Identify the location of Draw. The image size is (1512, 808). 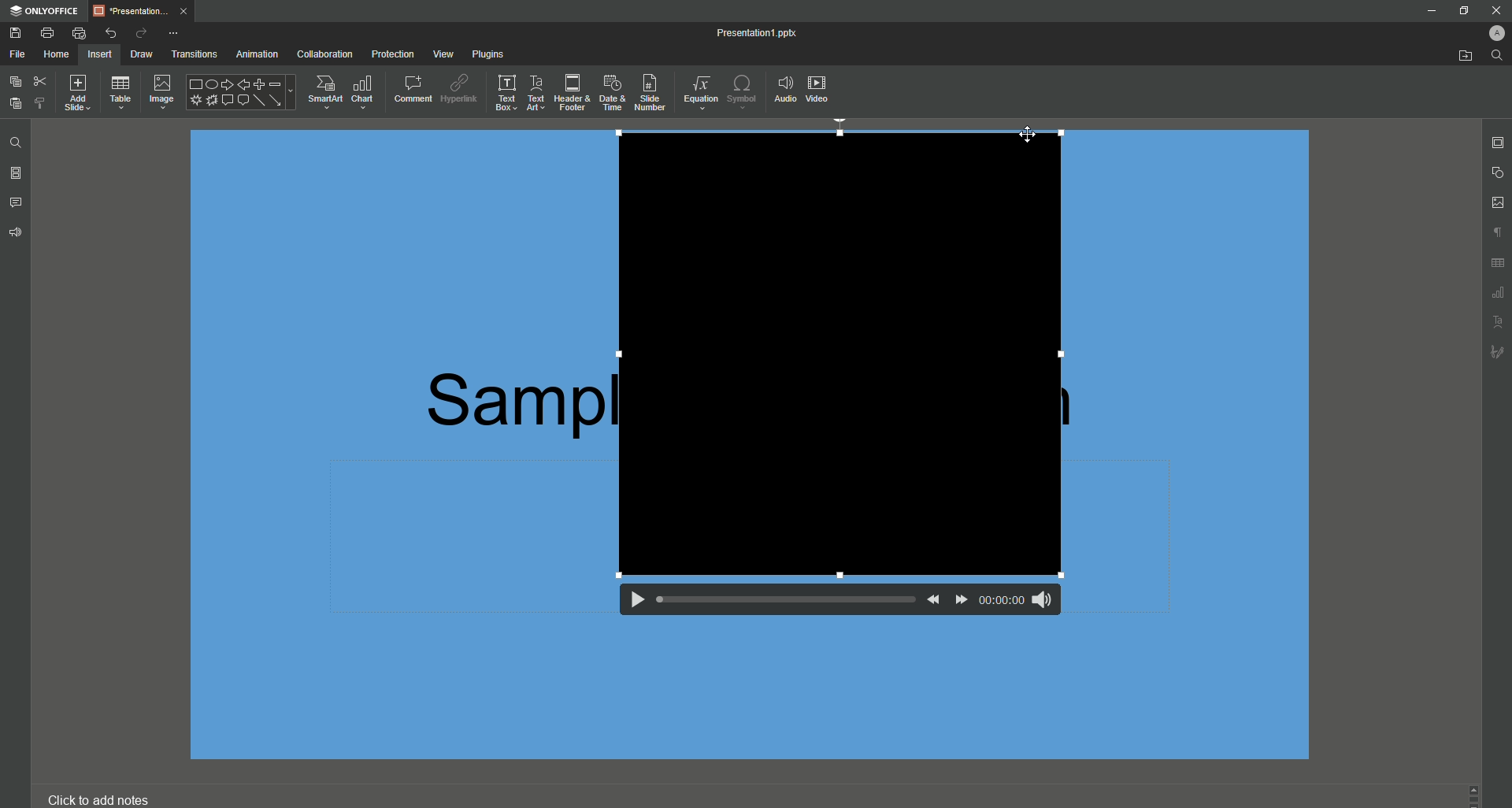
(143, 54).